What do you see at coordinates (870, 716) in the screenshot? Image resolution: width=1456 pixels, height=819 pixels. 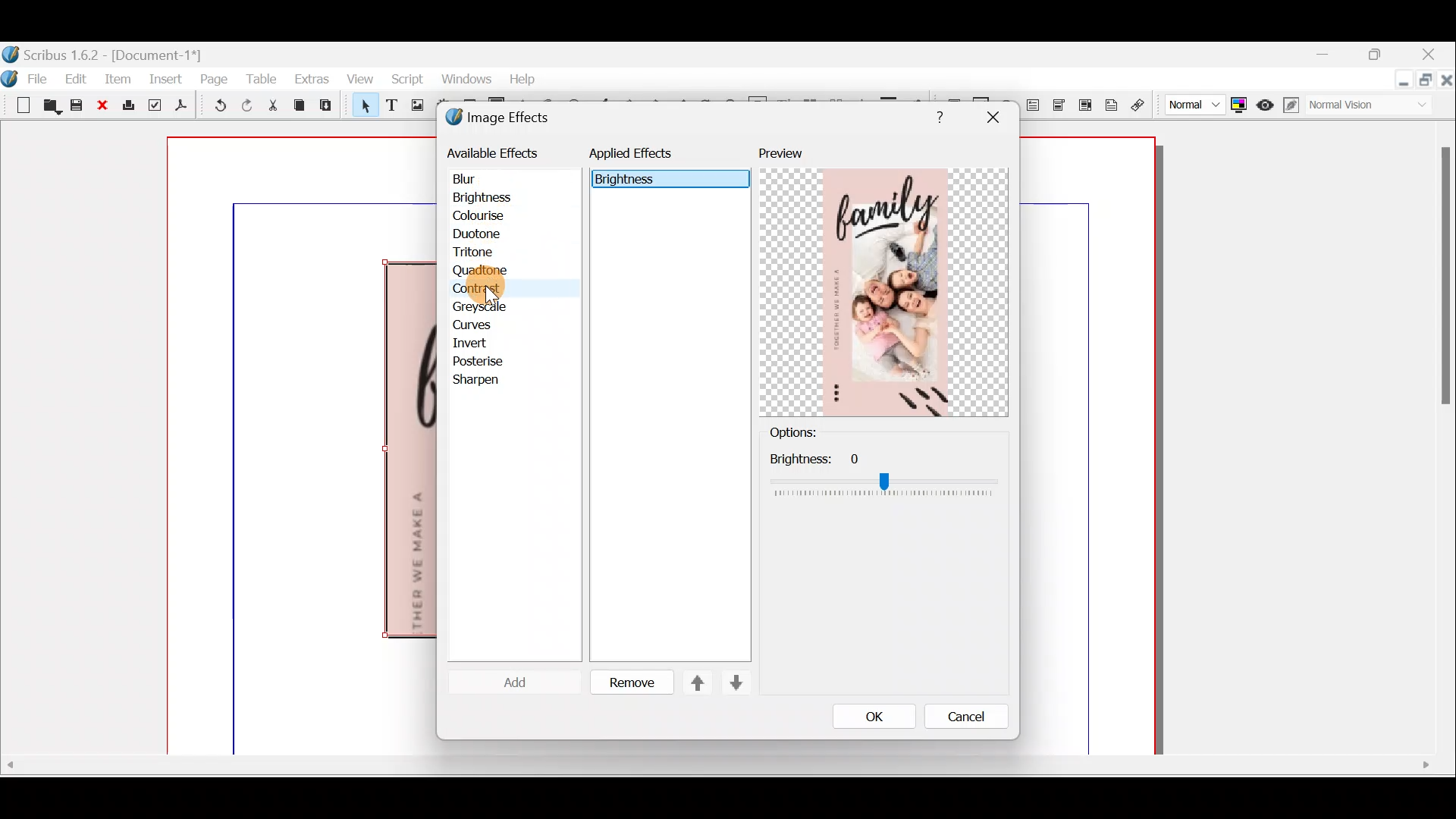 I see `OK` at bounding box center [870, 716].